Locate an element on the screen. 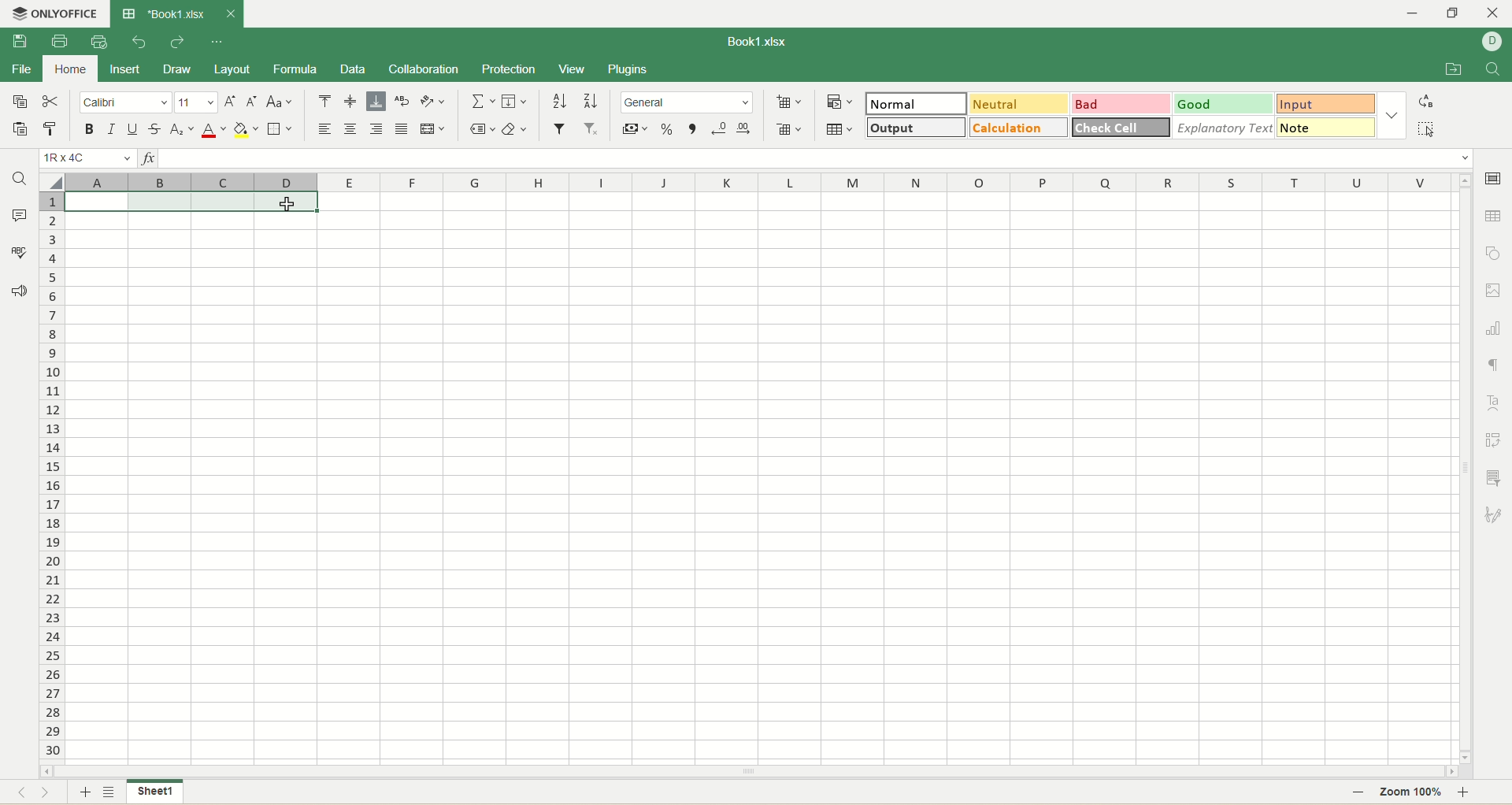  protection is located at coordinates (510, 70).